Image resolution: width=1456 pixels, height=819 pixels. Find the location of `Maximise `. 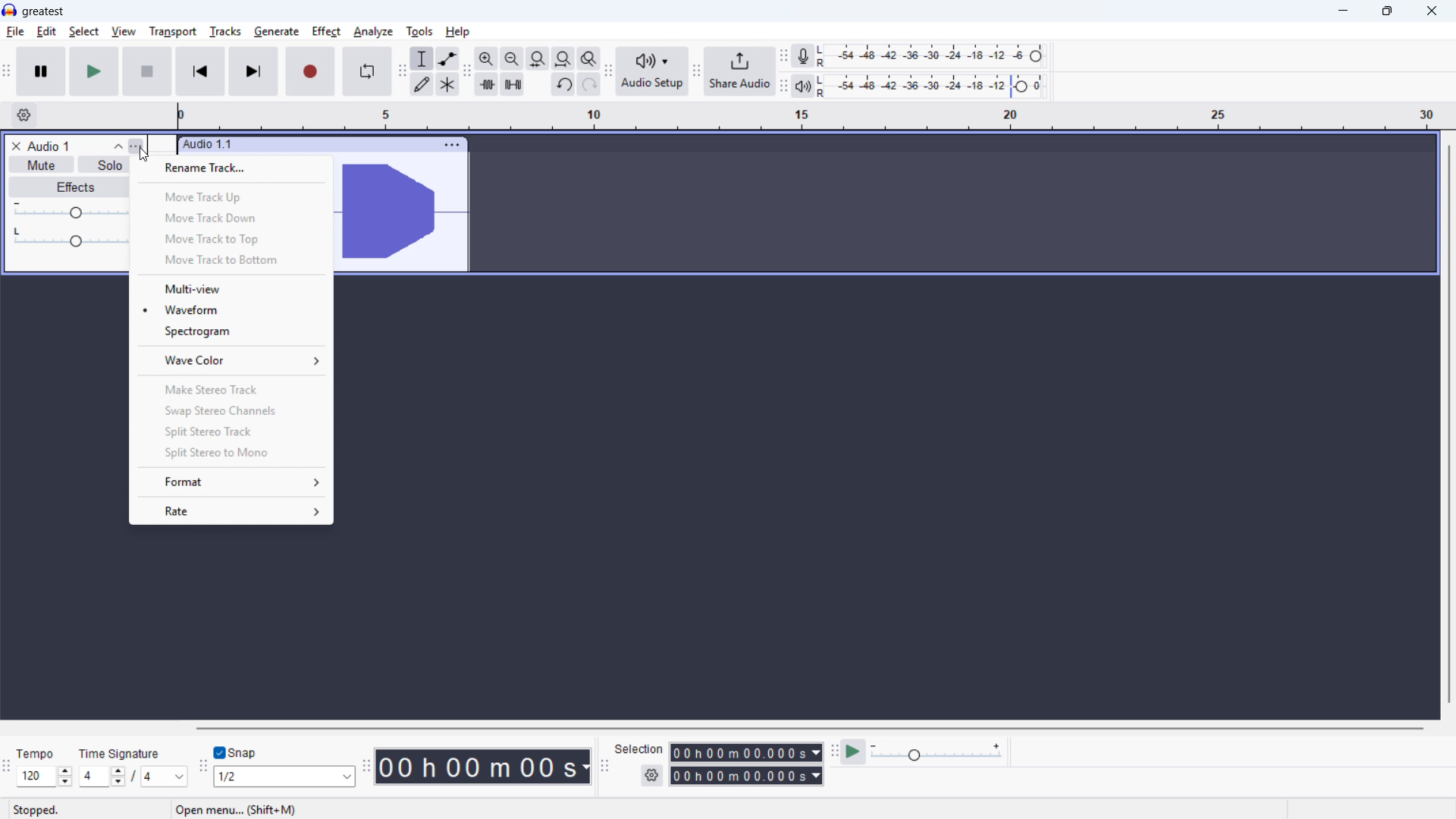

Maximise  is located at coordinates (1386, 11).